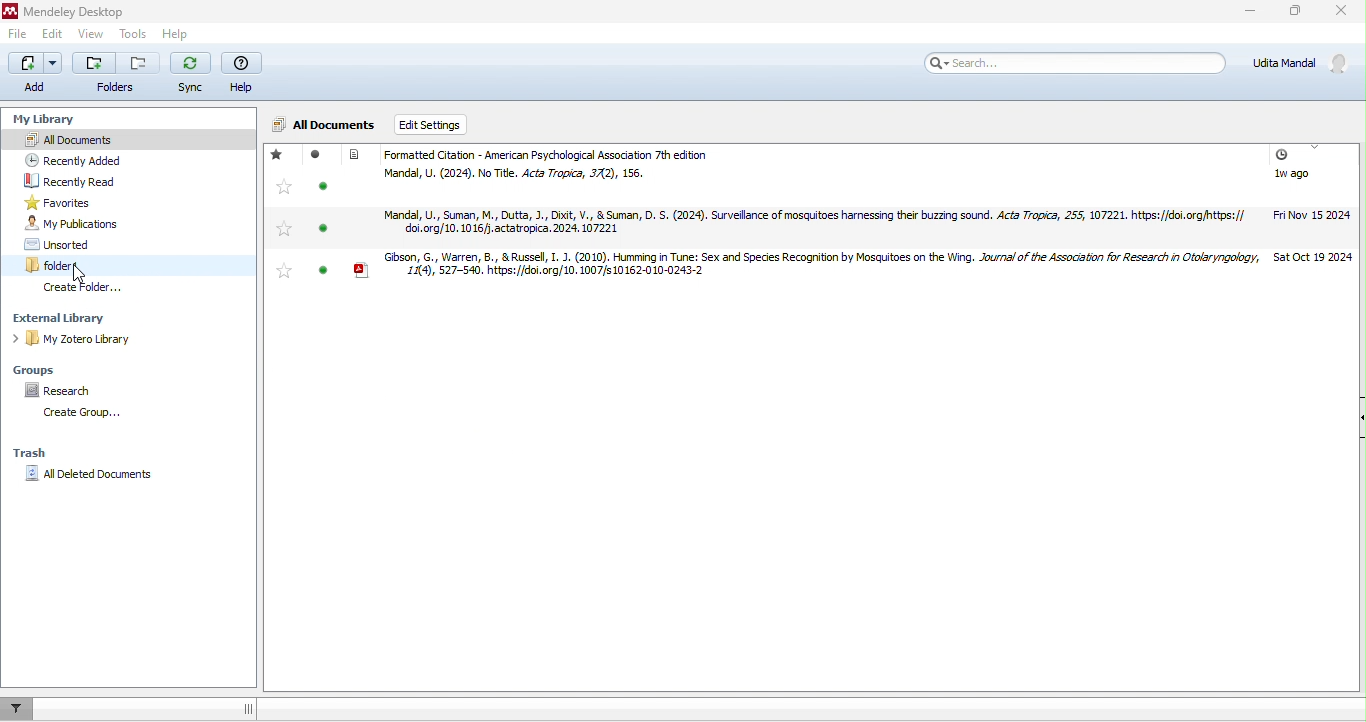 This screenshot has height=722, width=1366. Describe the element at coordinates (362, 270) in the screenshot. I see `PDF file logo` at that location.